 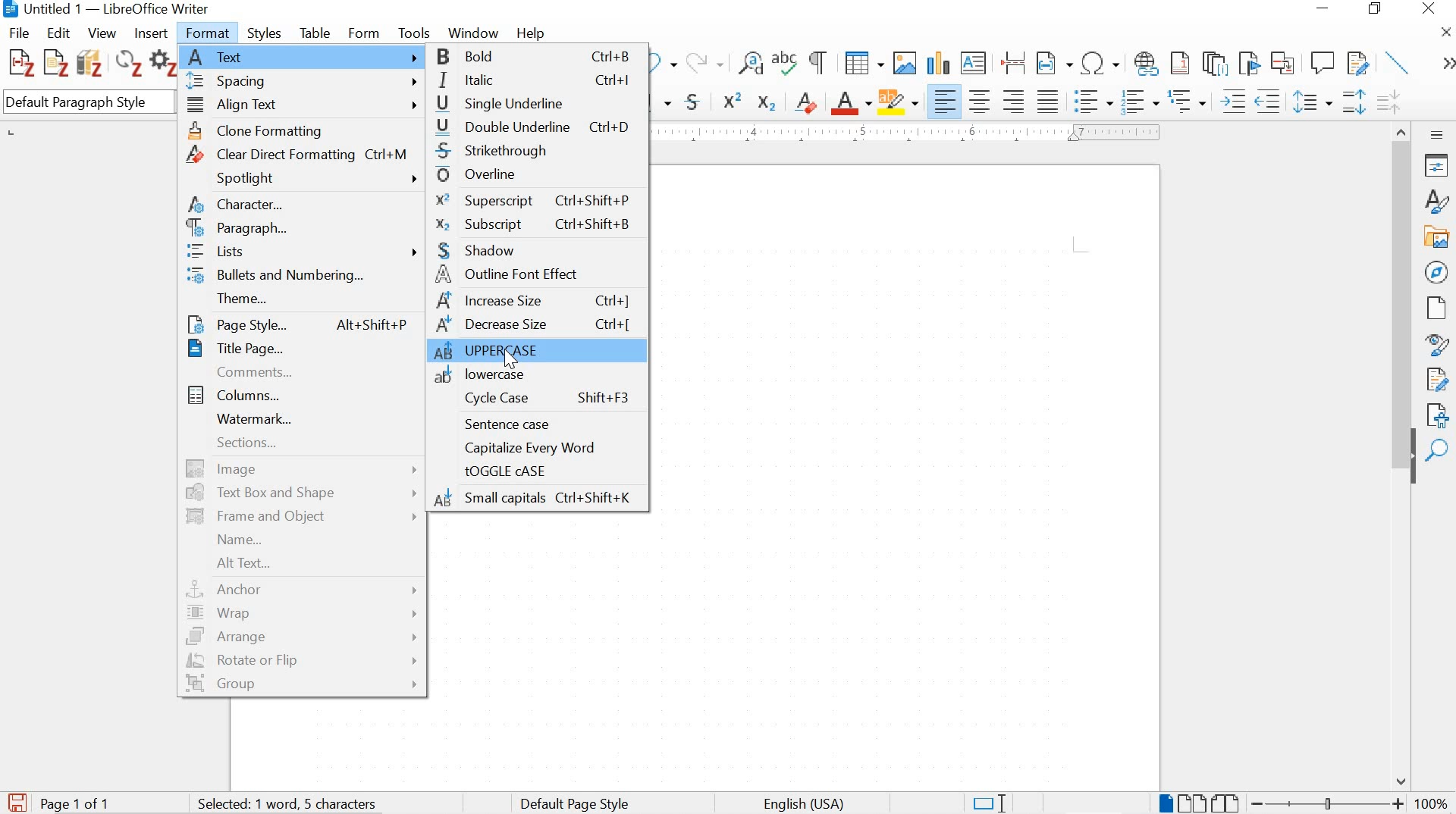 What do you see at coordinates (1353, 104) in the screenshot?
I see `increase paragraph spacing` at bounding box center [1353, 104].